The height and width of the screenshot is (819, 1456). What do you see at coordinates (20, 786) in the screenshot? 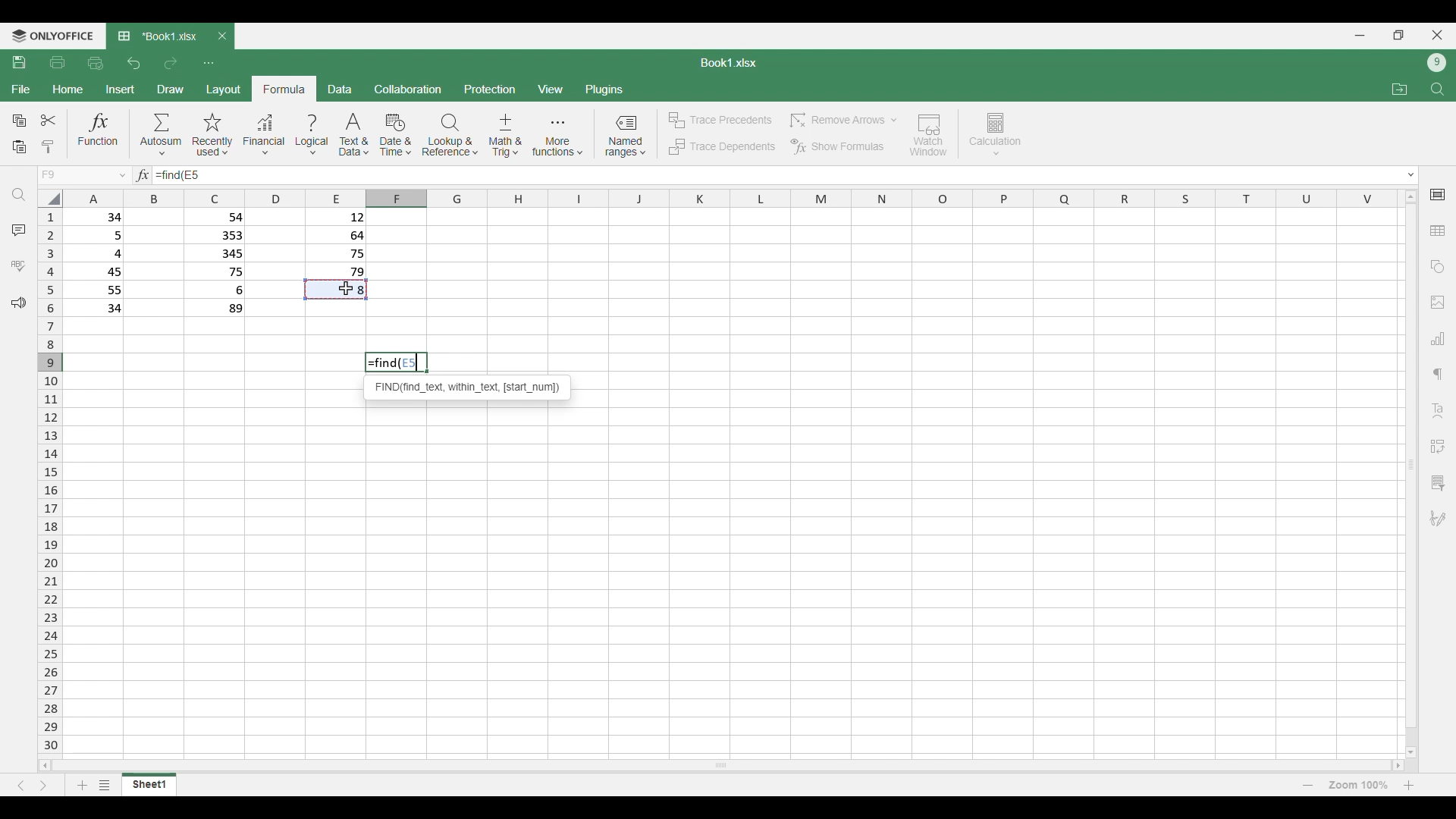
I see `Previous` at bounding box center [20, 786].